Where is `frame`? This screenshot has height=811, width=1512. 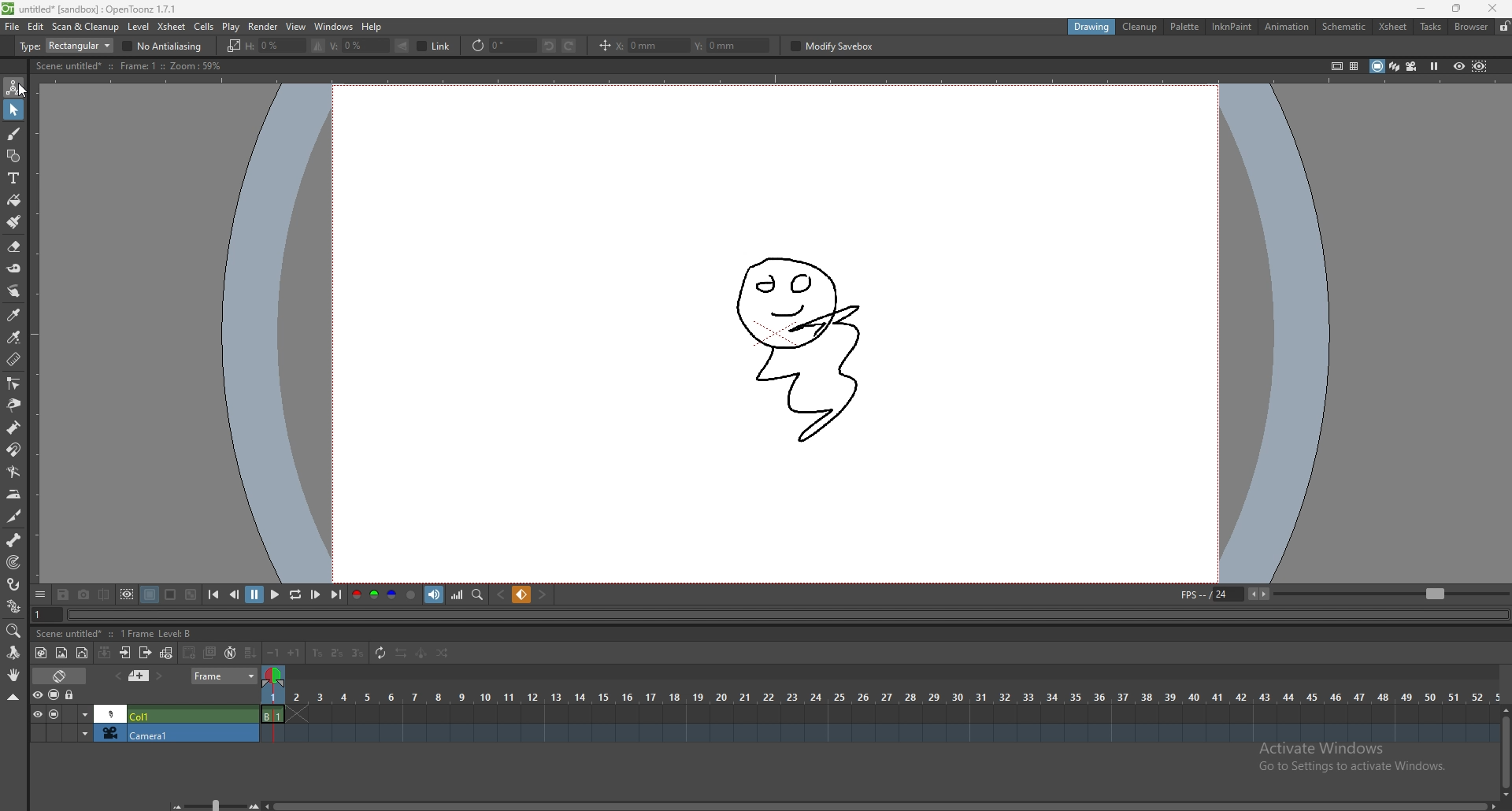
frame is located at coordinates (224, 676).